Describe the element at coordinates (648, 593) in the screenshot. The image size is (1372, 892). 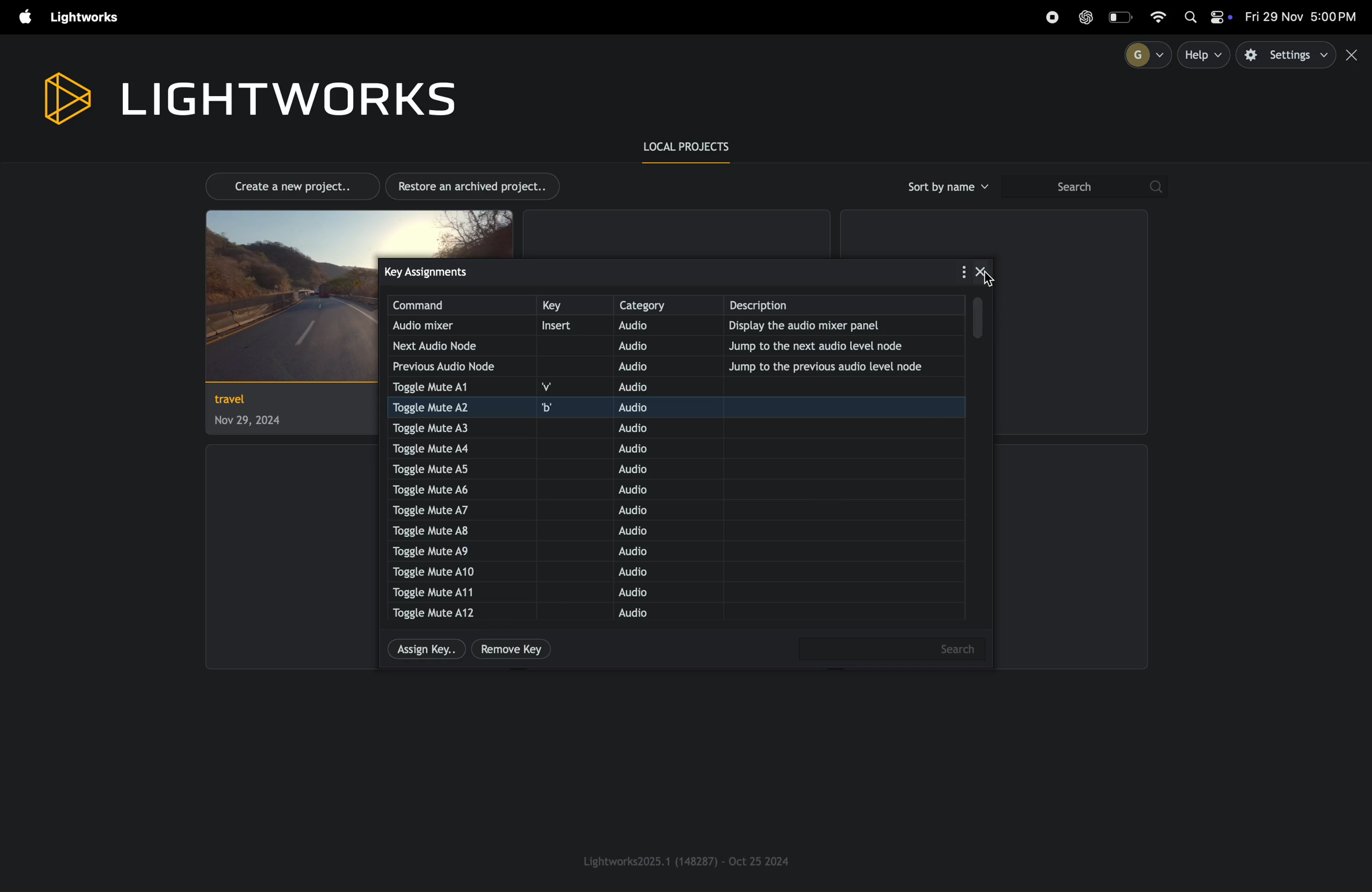
I see `audio` at that location.